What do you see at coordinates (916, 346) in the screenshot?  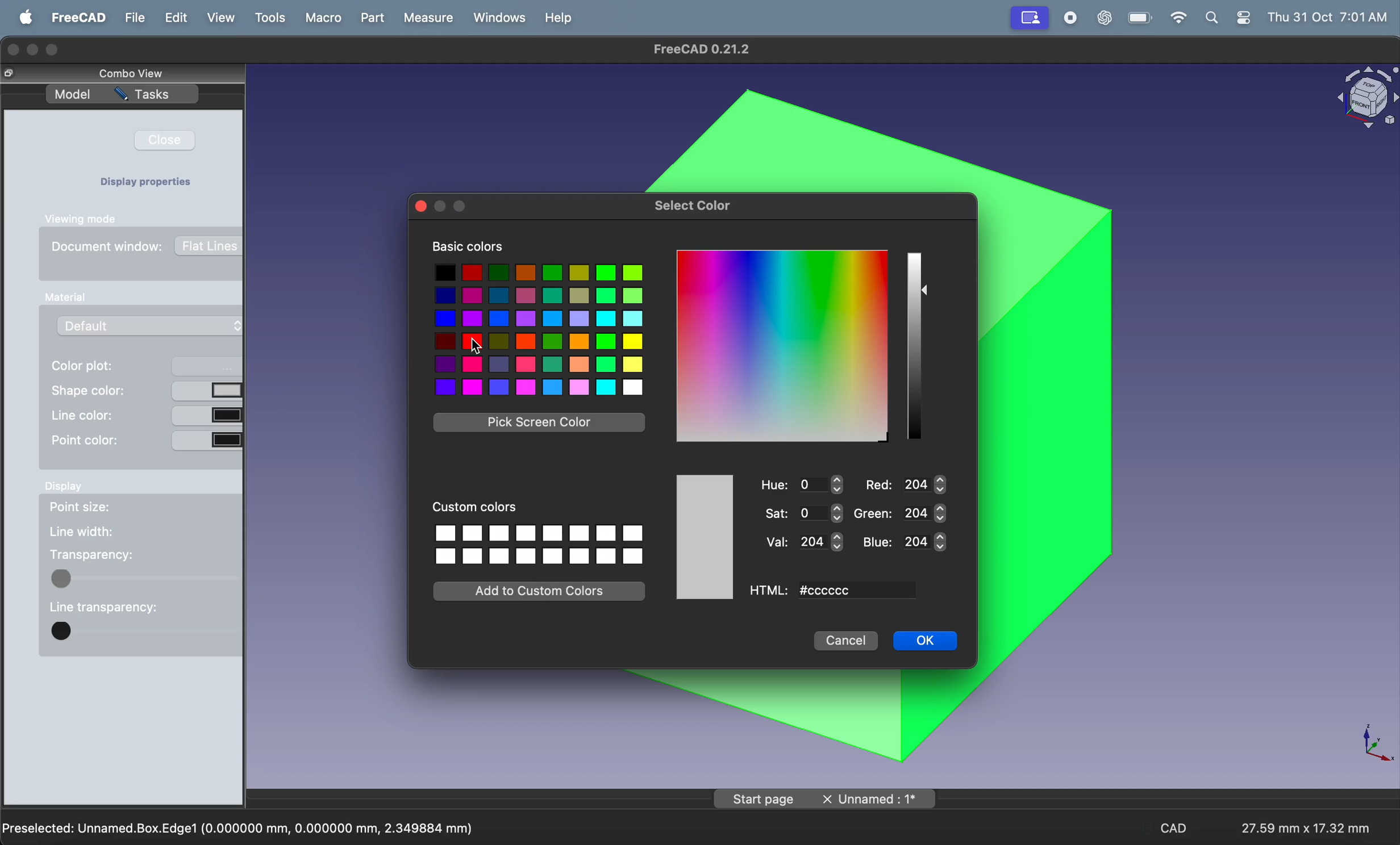 I see `color scale` at bounding box center [916, 346].